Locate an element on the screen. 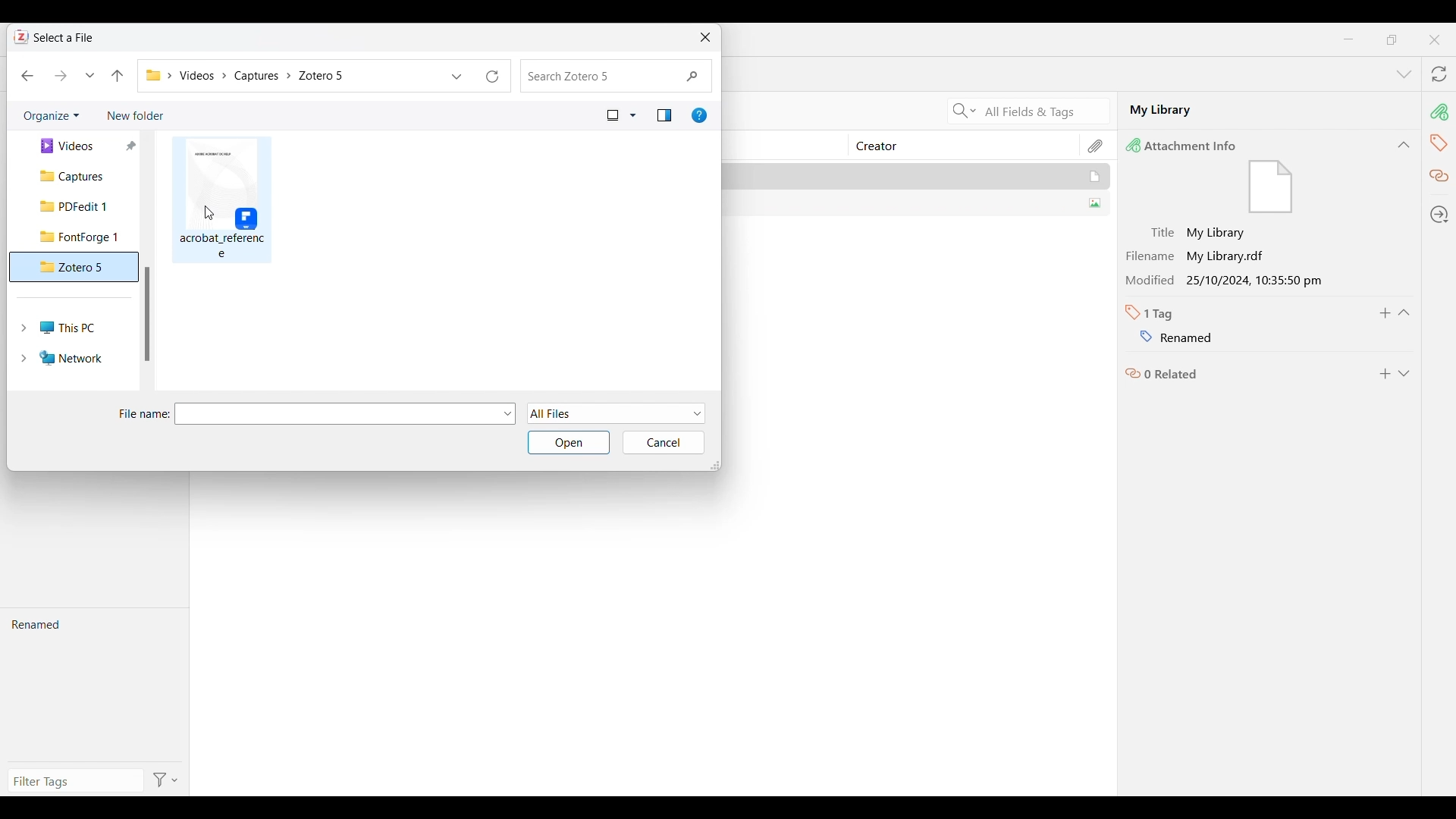 Image resolution: width=1456 pixels, height=819 pixels. Quick search is located at coordinates (685, 77).